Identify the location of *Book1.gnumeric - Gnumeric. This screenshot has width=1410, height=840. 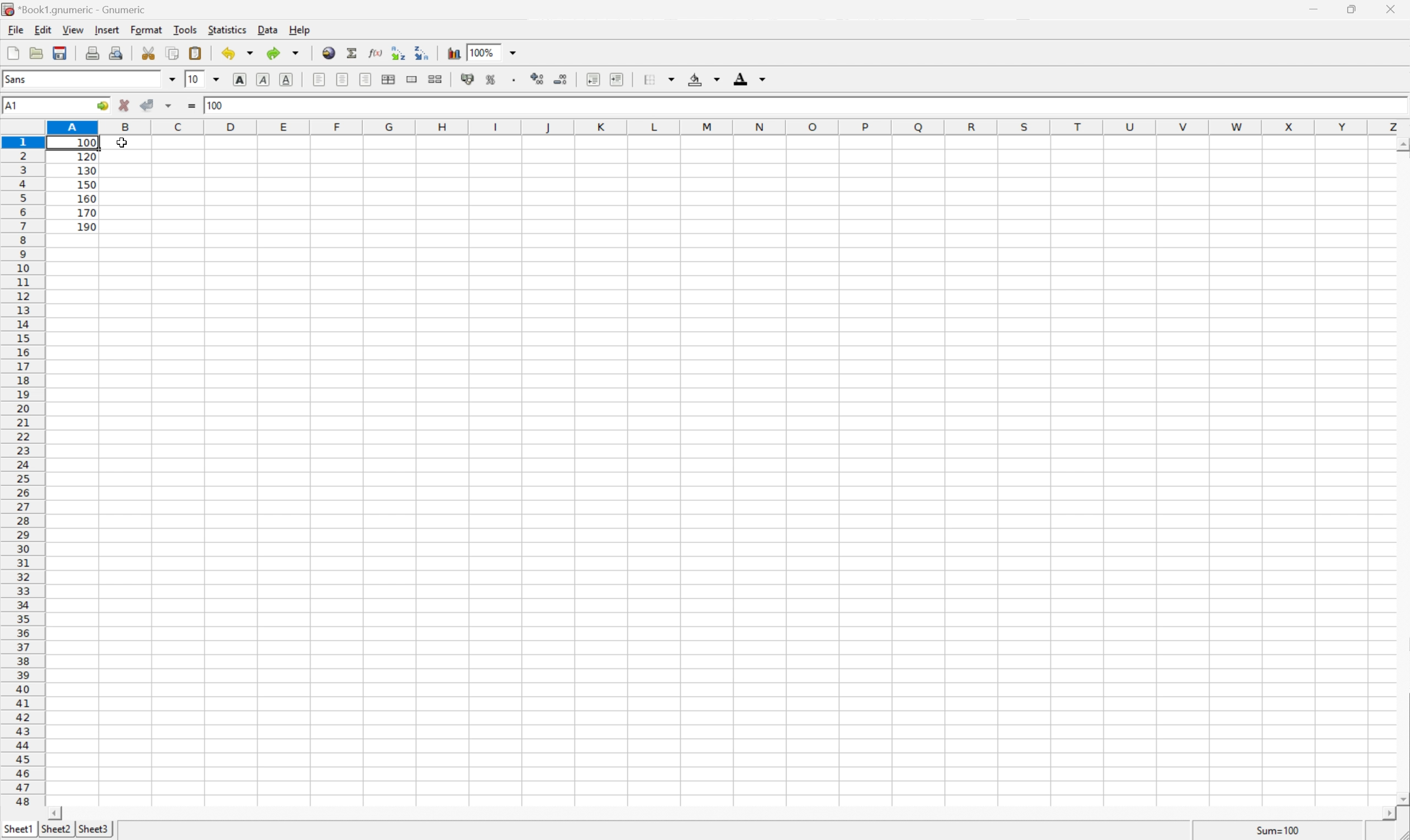
(78, 8).